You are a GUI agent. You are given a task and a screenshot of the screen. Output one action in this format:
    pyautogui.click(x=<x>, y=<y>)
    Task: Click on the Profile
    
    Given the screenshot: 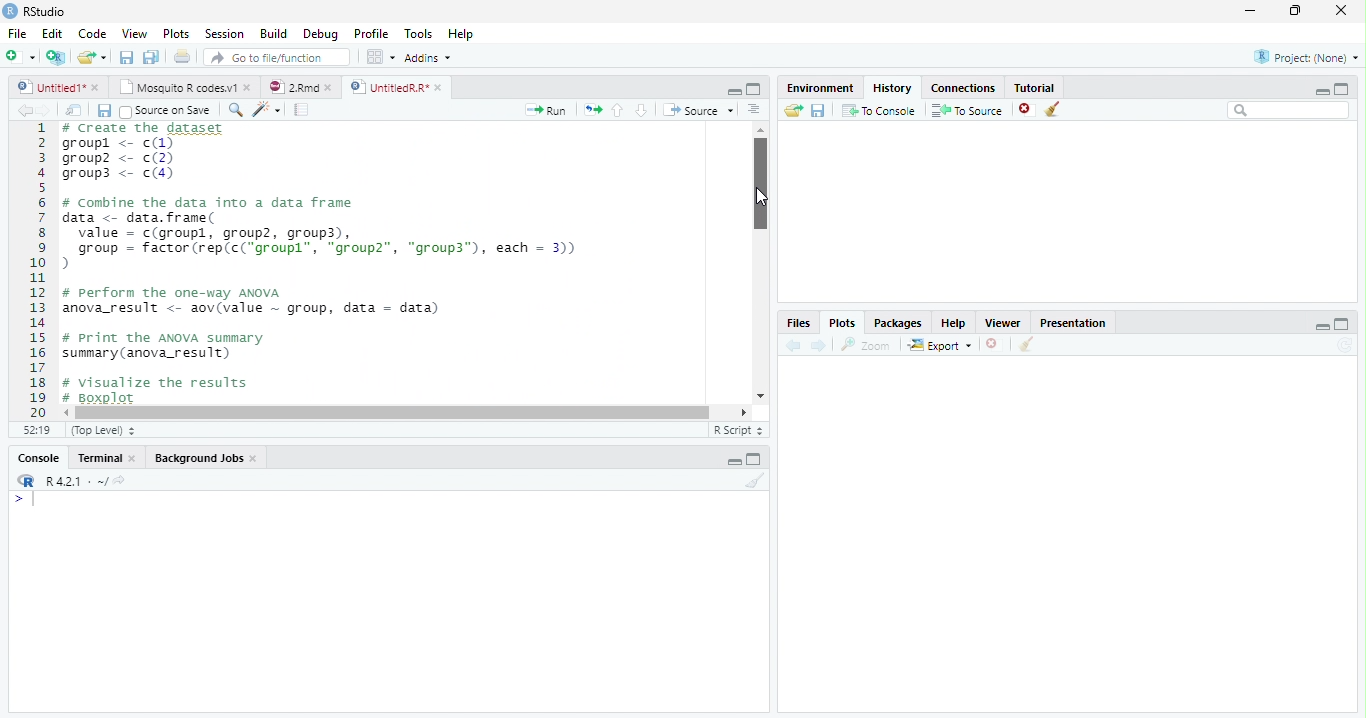 What is the action you would take?
    pyautogui.click(x=370, y=34)
    